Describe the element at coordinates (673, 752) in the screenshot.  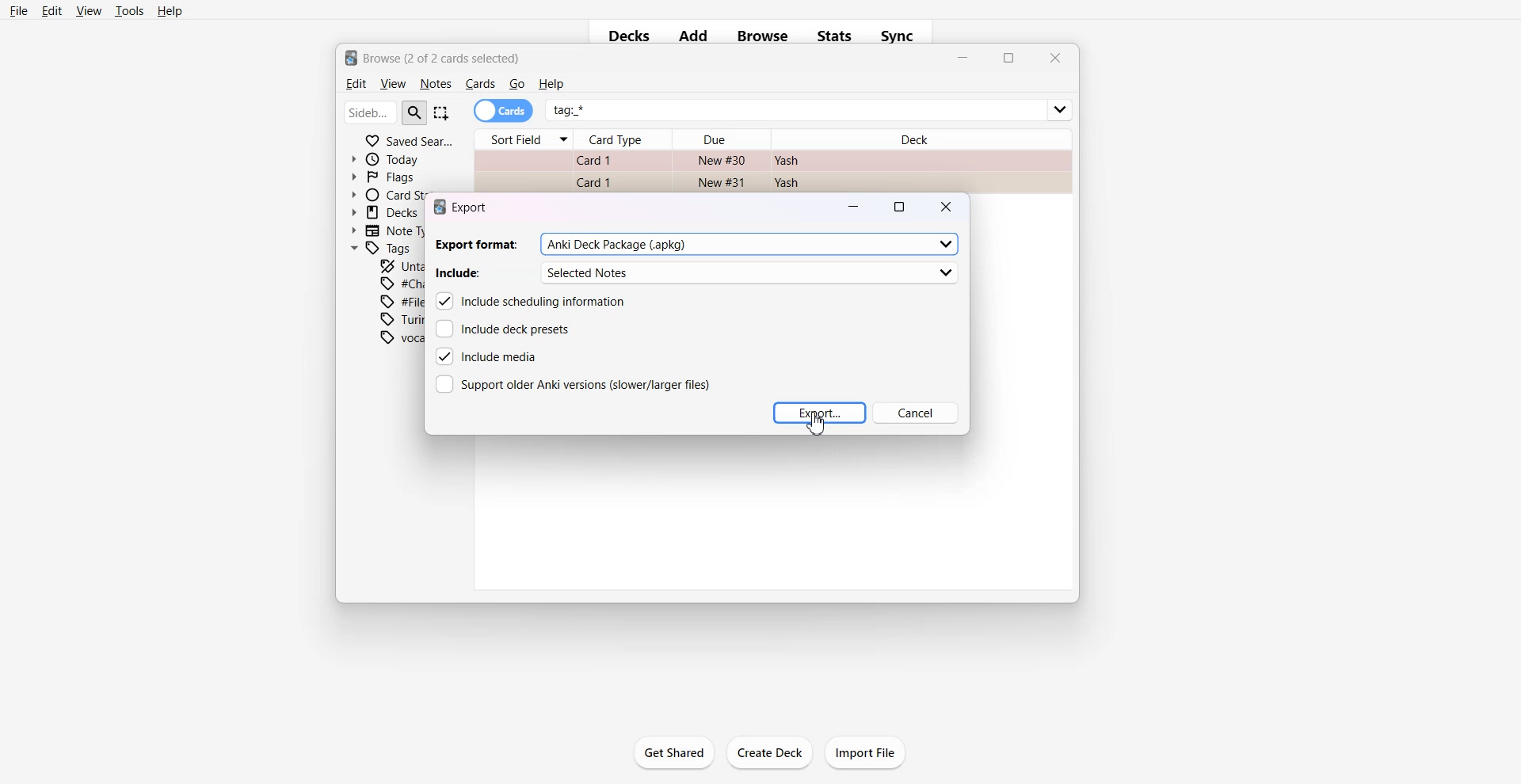
I see `Get Shared` at that location.